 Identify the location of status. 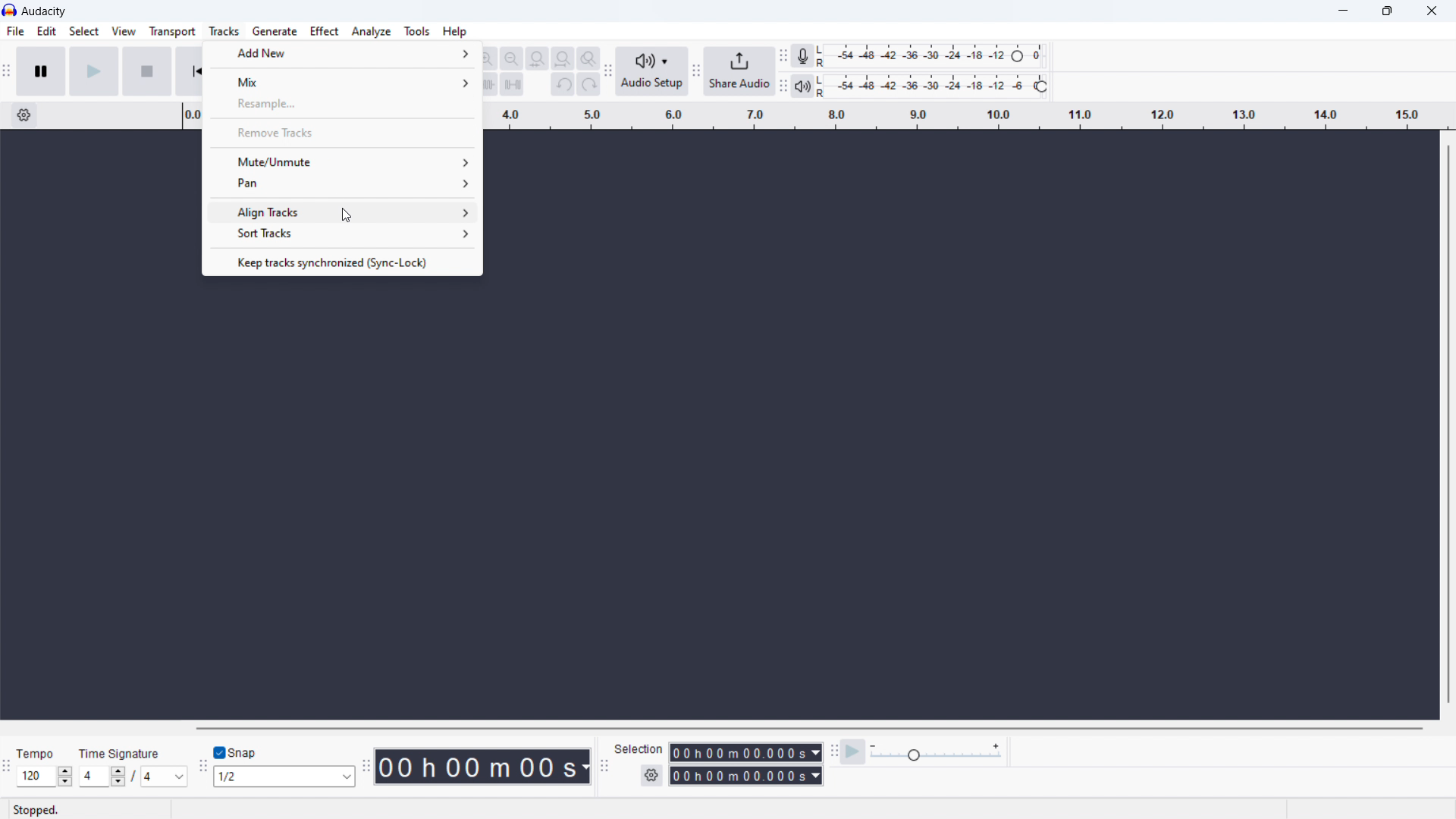
(37, 809).